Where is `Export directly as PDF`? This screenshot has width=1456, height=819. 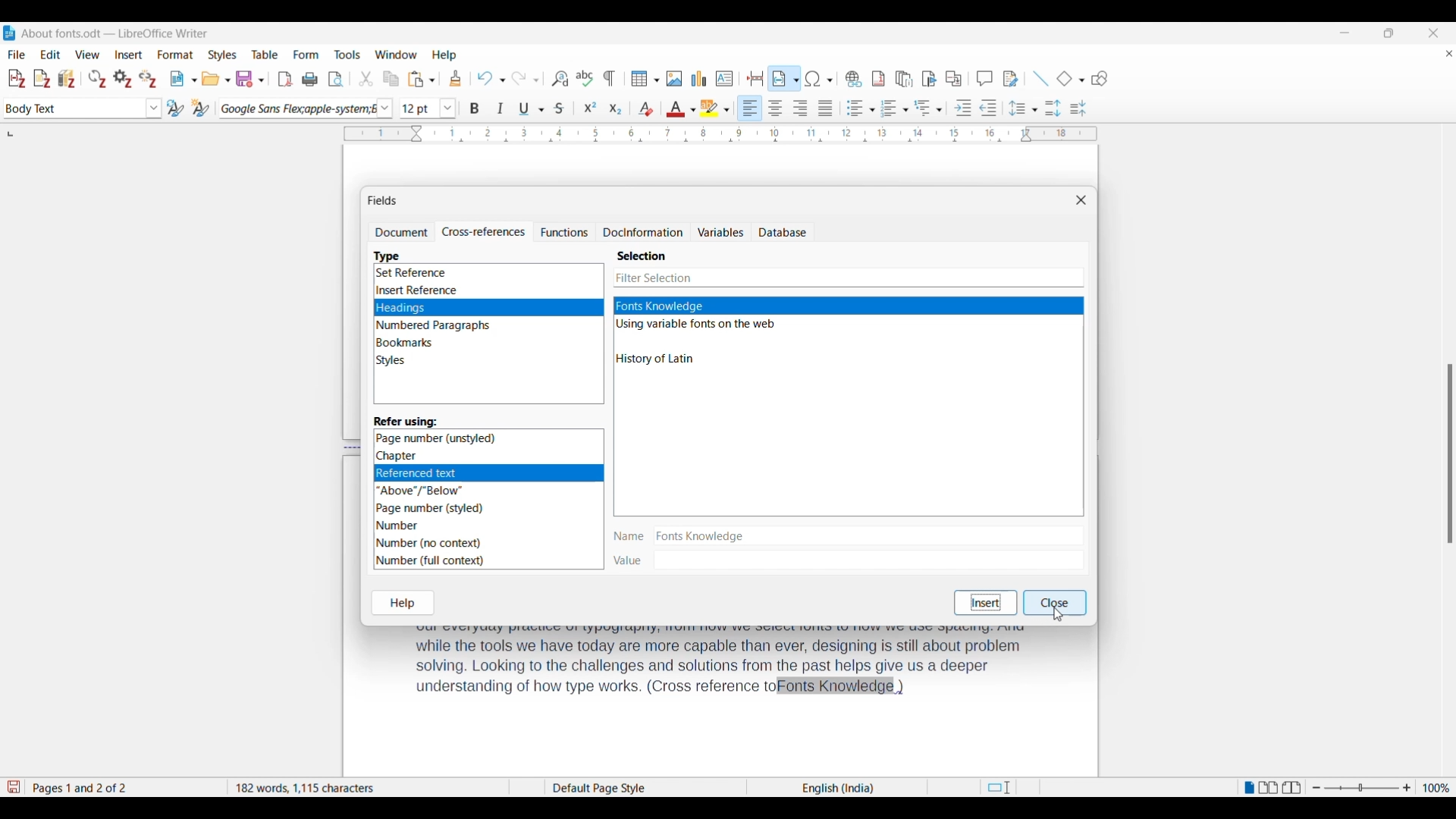 Export directly as PDF is located at coordinates (285, 80).